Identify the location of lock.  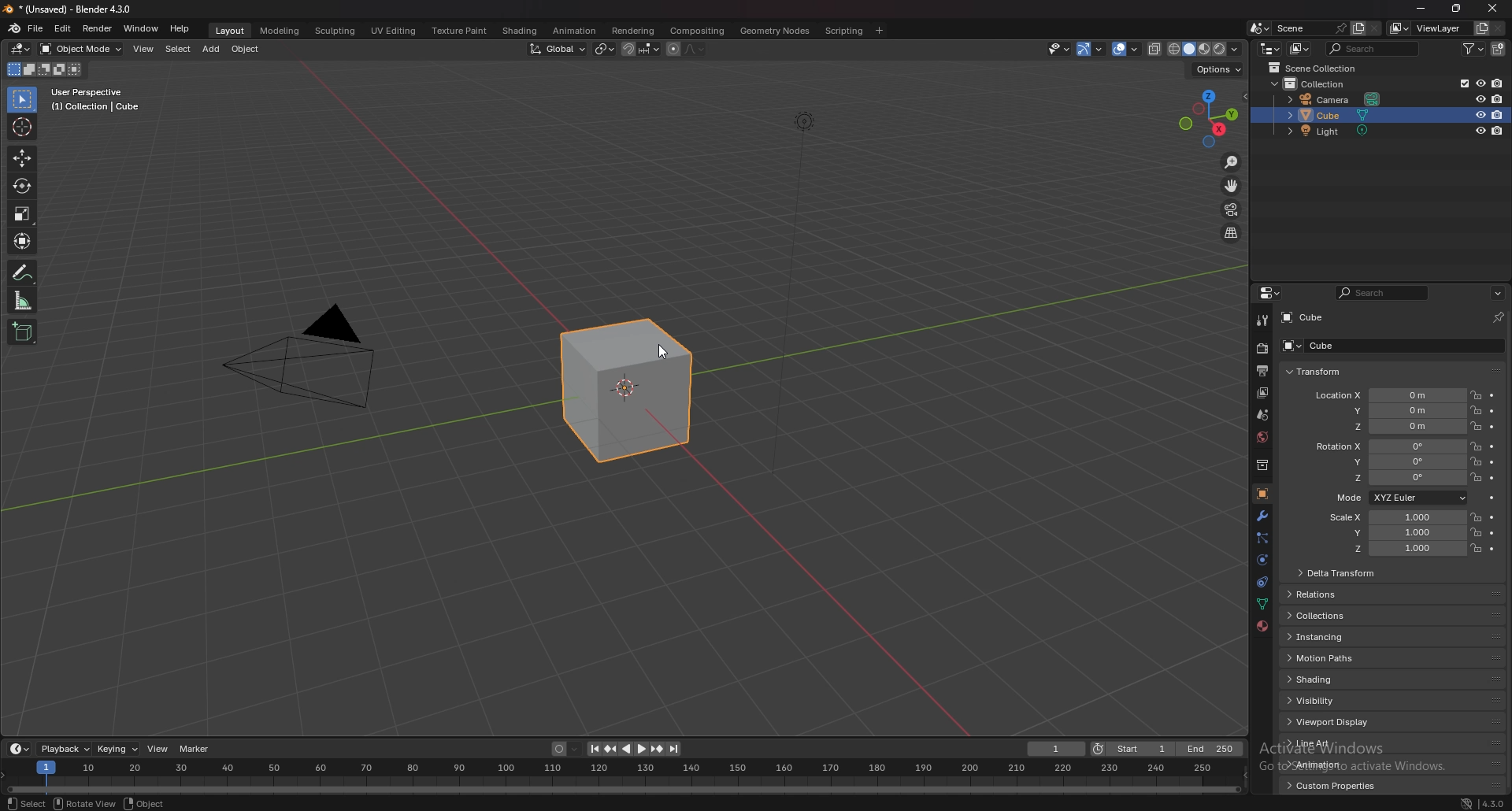
(1477, 411).